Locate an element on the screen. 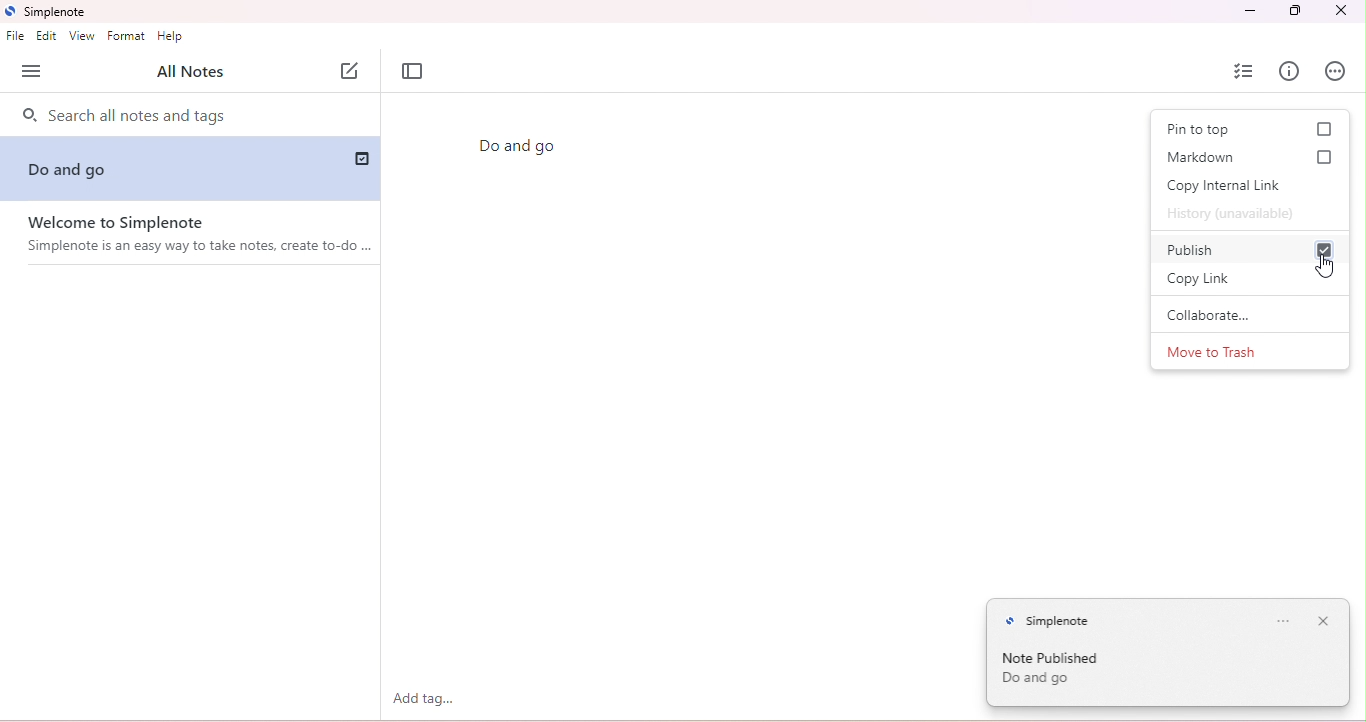  collaborate is located at coordinates (1243, 315).